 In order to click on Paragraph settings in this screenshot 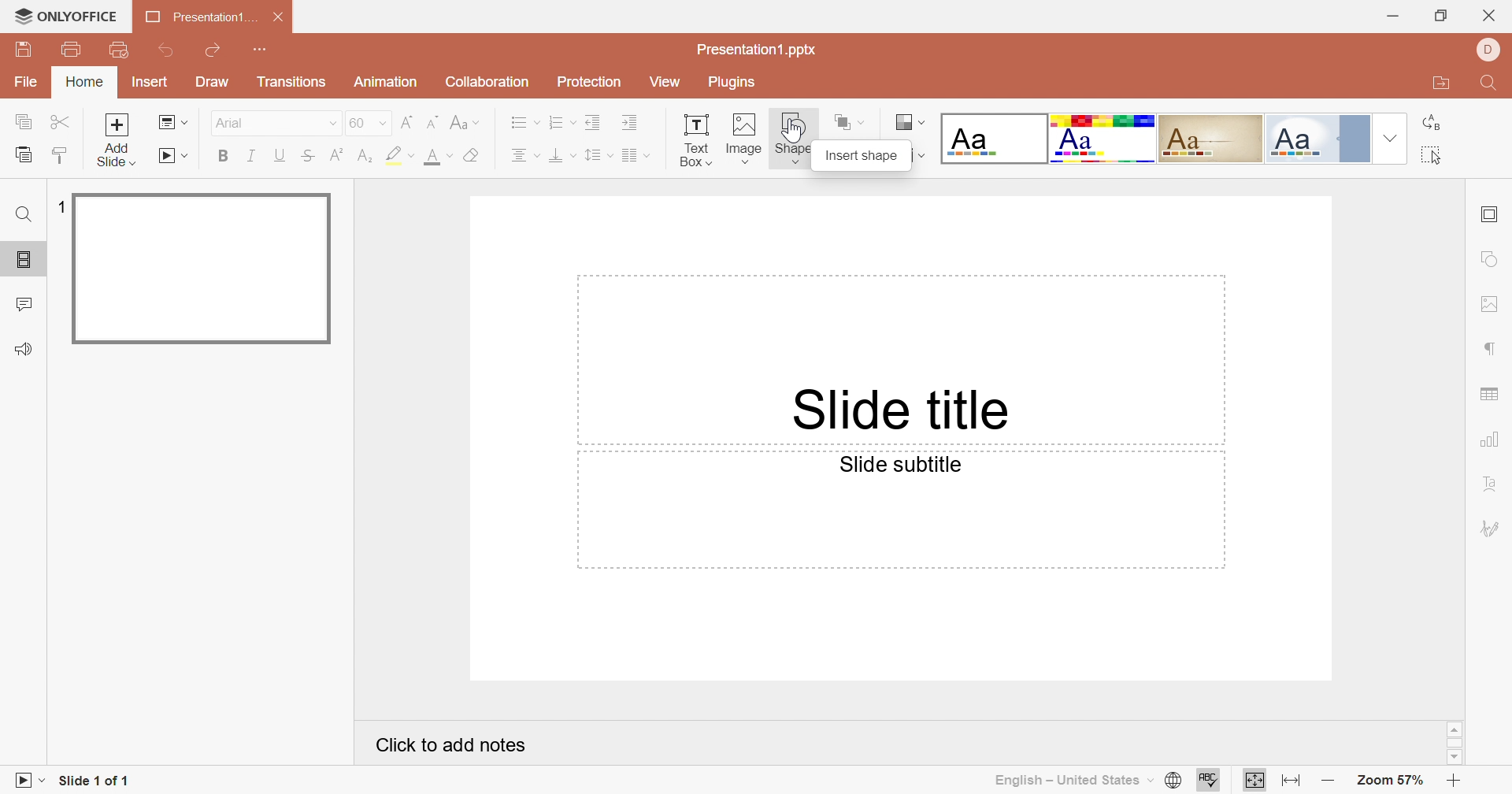, I will do `click(1491, 350)`.